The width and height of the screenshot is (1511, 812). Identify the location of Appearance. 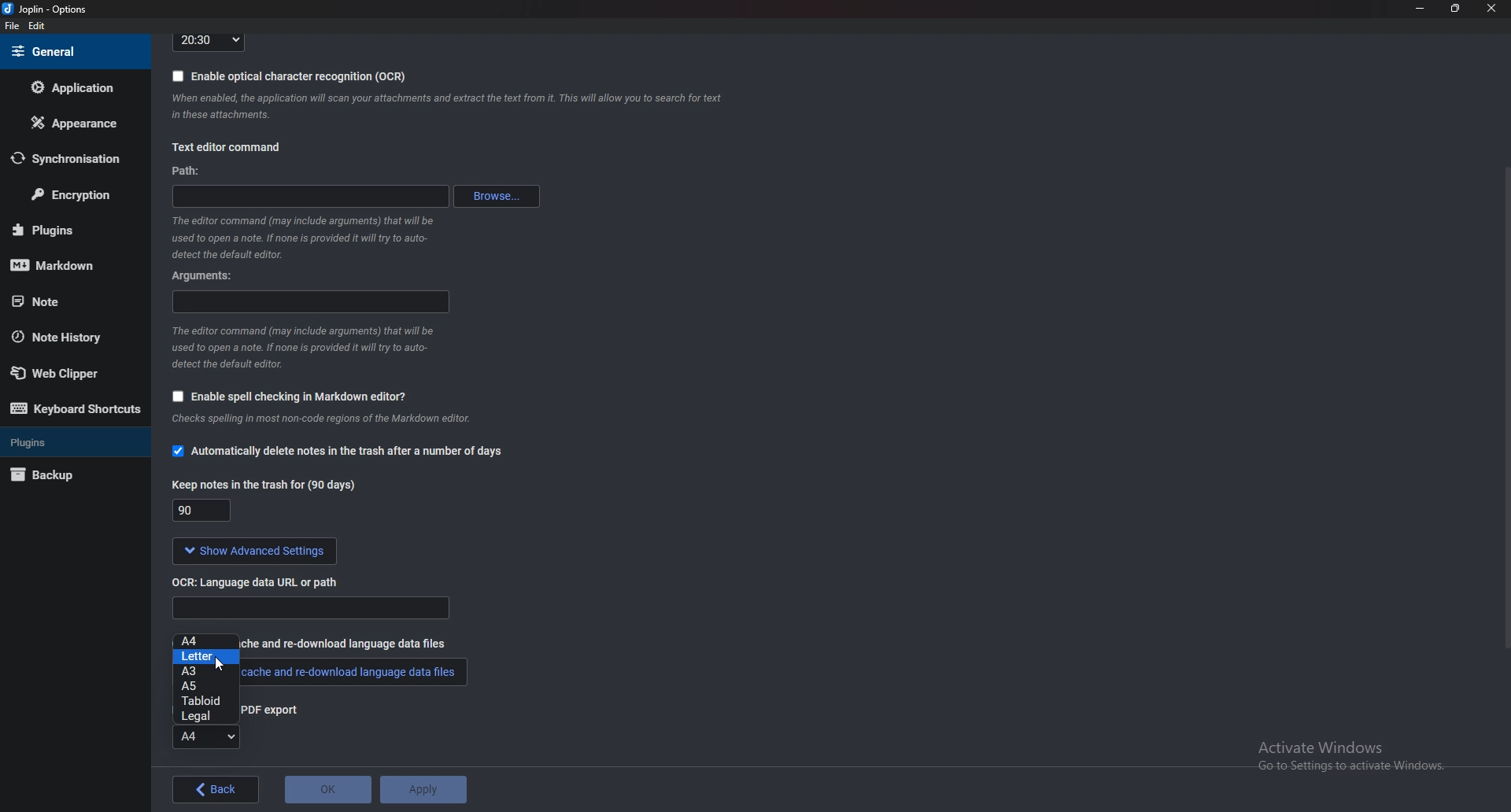
(72, 123).